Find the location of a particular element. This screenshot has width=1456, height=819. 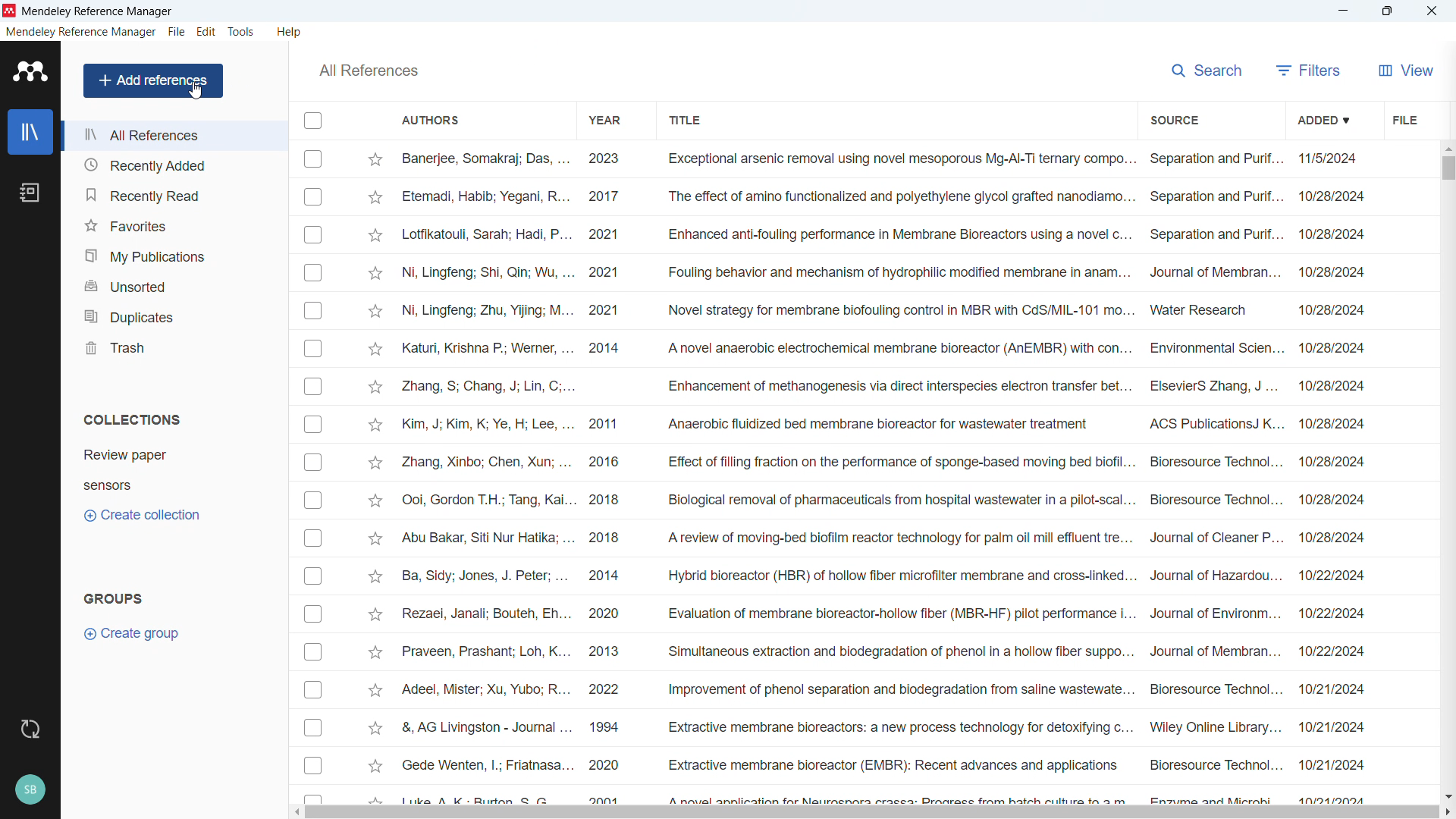

Unsorted  is located at coordinates (174, 284).